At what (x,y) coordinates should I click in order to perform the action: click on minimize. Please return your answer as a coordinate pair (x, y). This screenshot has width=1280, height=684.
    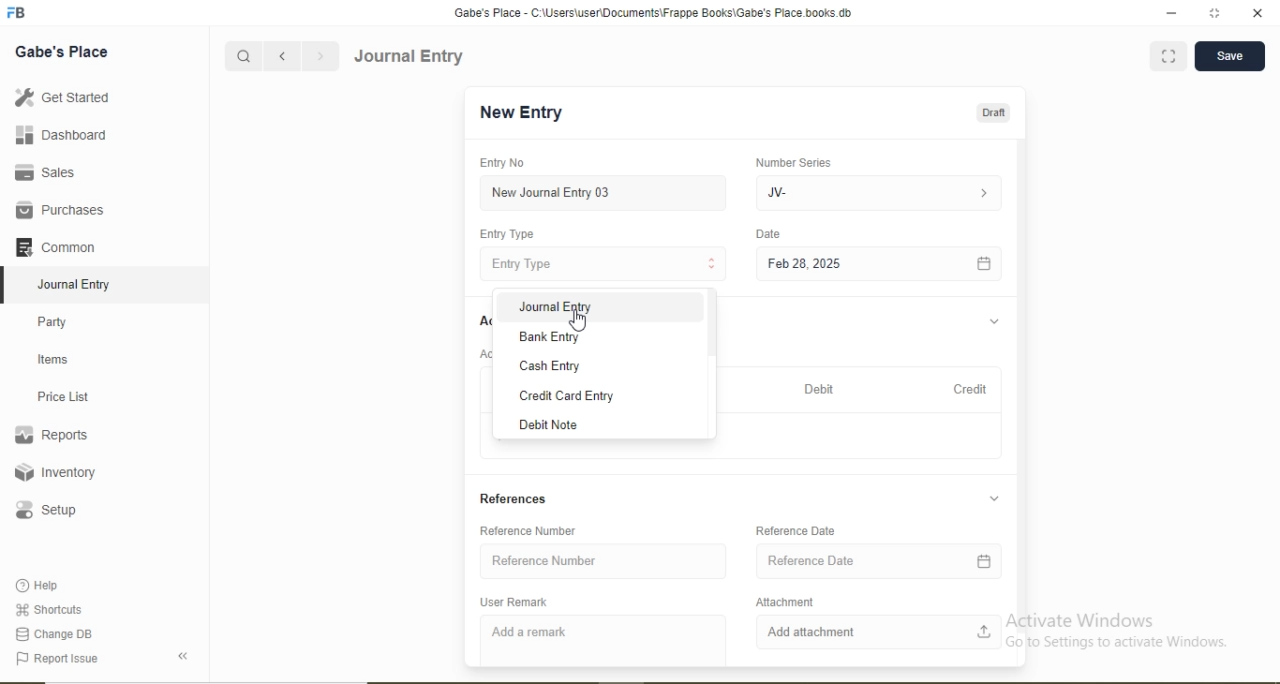
    Looking at the image, I should click on (1169, 14).